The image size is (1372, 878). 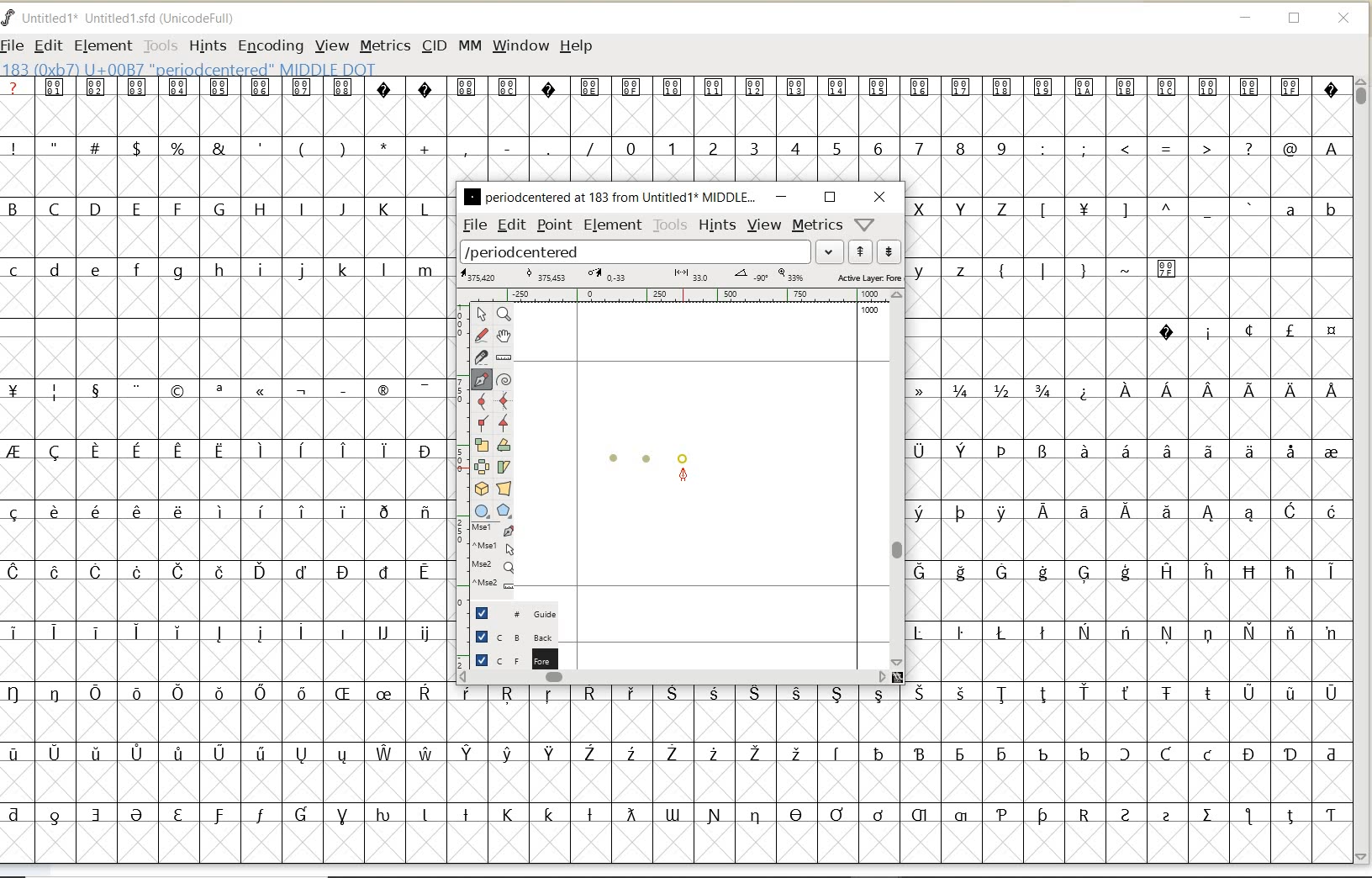 What do you see at coordinates (472, 225) in the screenshot?
I see `file` at bounding box center [472, 225].